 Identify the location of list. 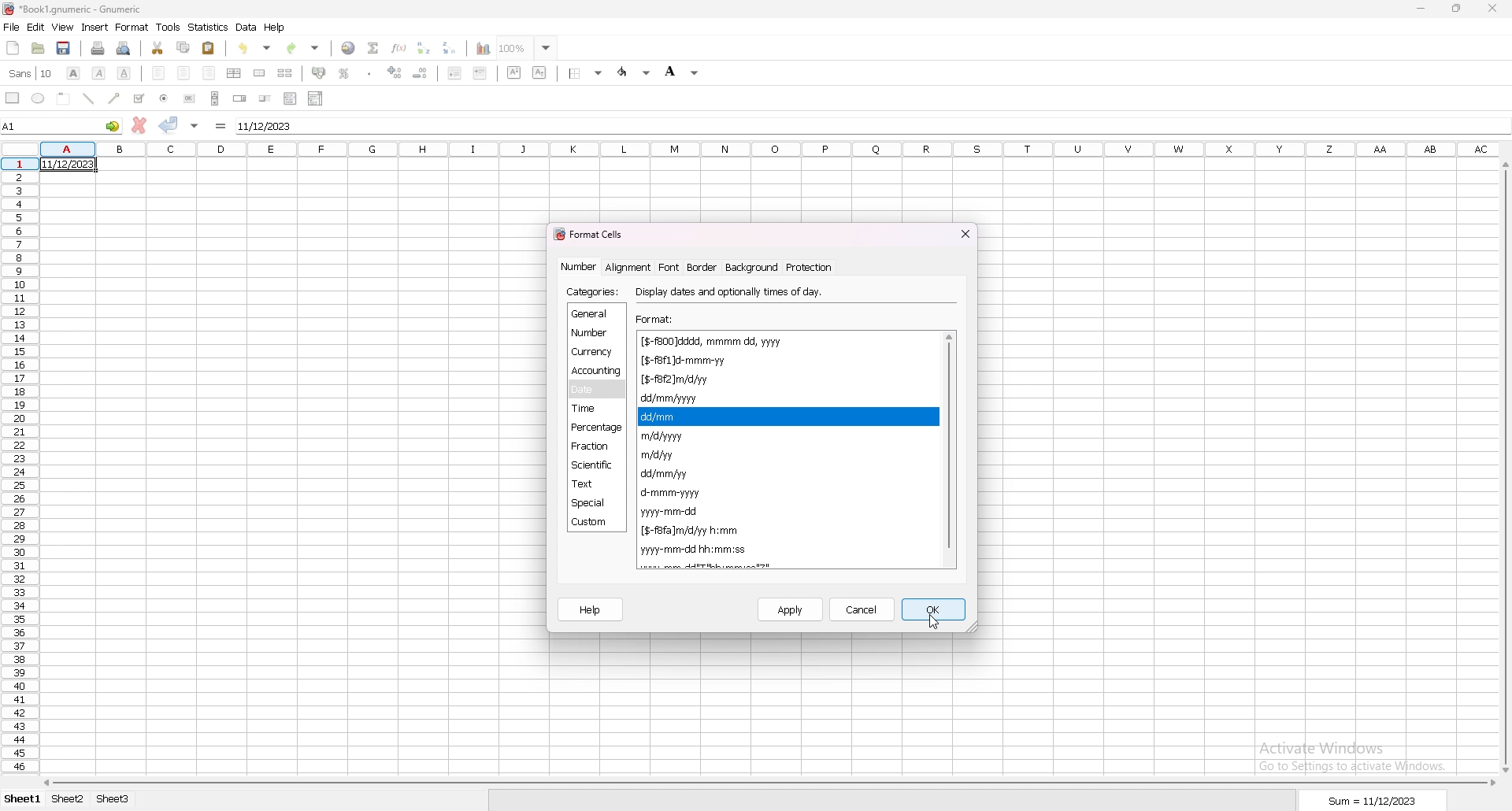
(291, 99).